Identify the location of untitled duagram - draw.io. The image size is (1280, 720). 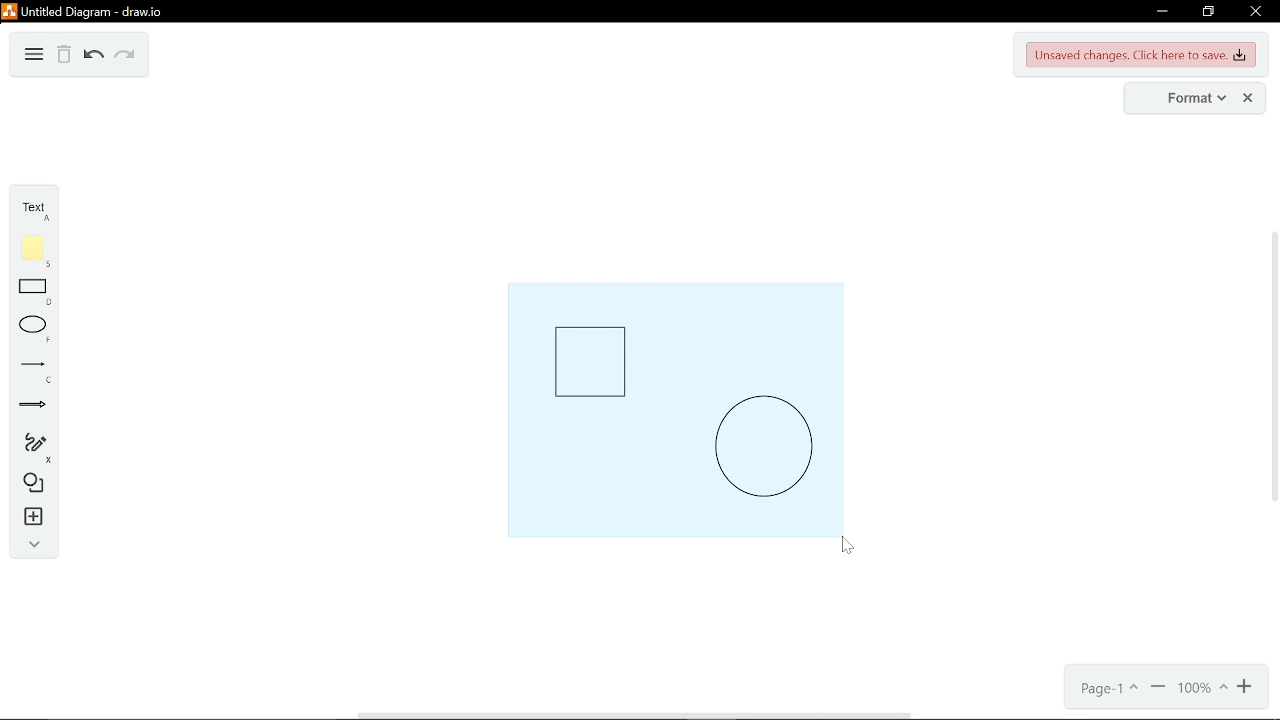
(91, 12).